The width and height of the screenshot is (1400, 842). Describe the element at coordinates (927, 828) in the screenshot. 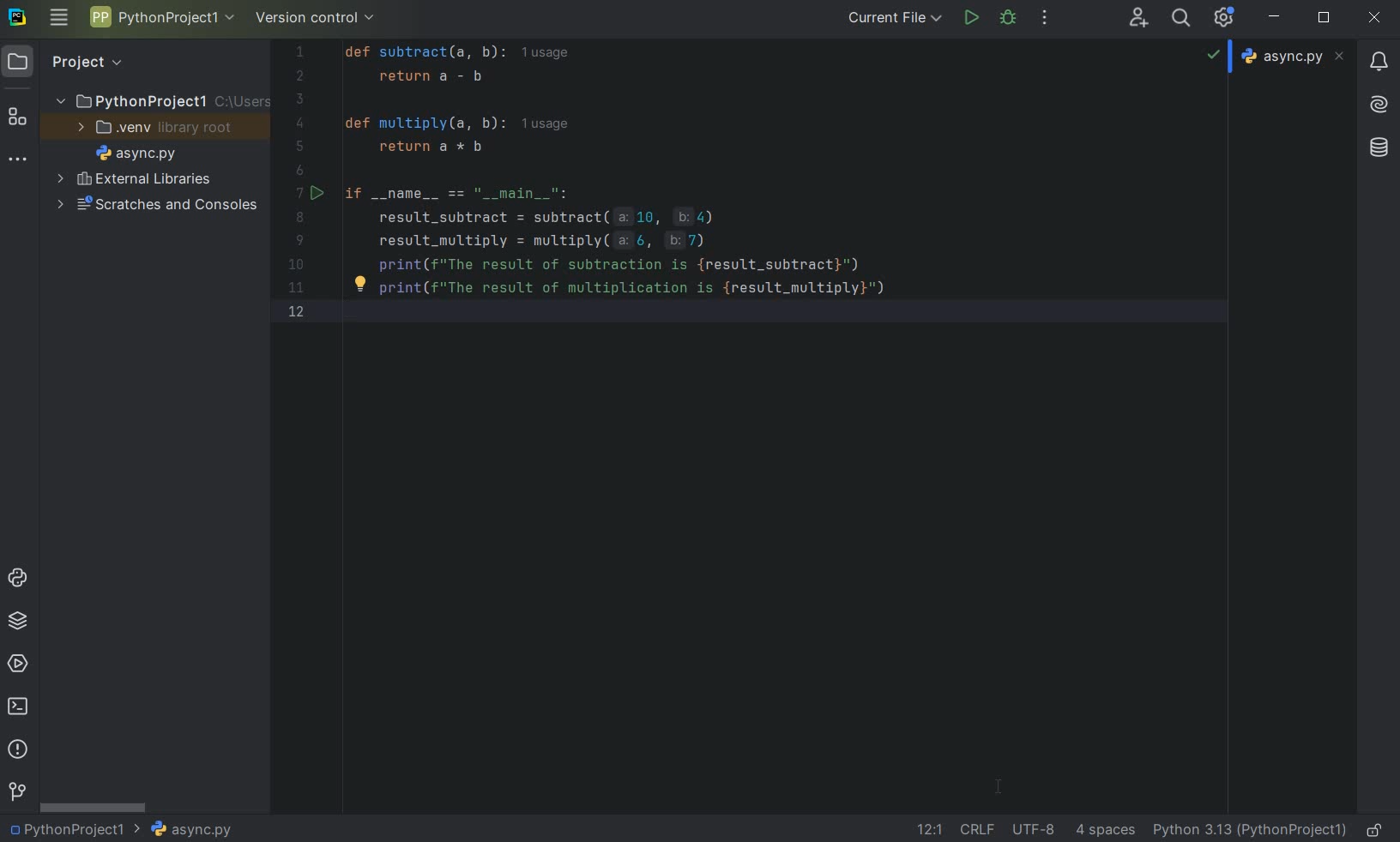

I see `go to line` at that location.